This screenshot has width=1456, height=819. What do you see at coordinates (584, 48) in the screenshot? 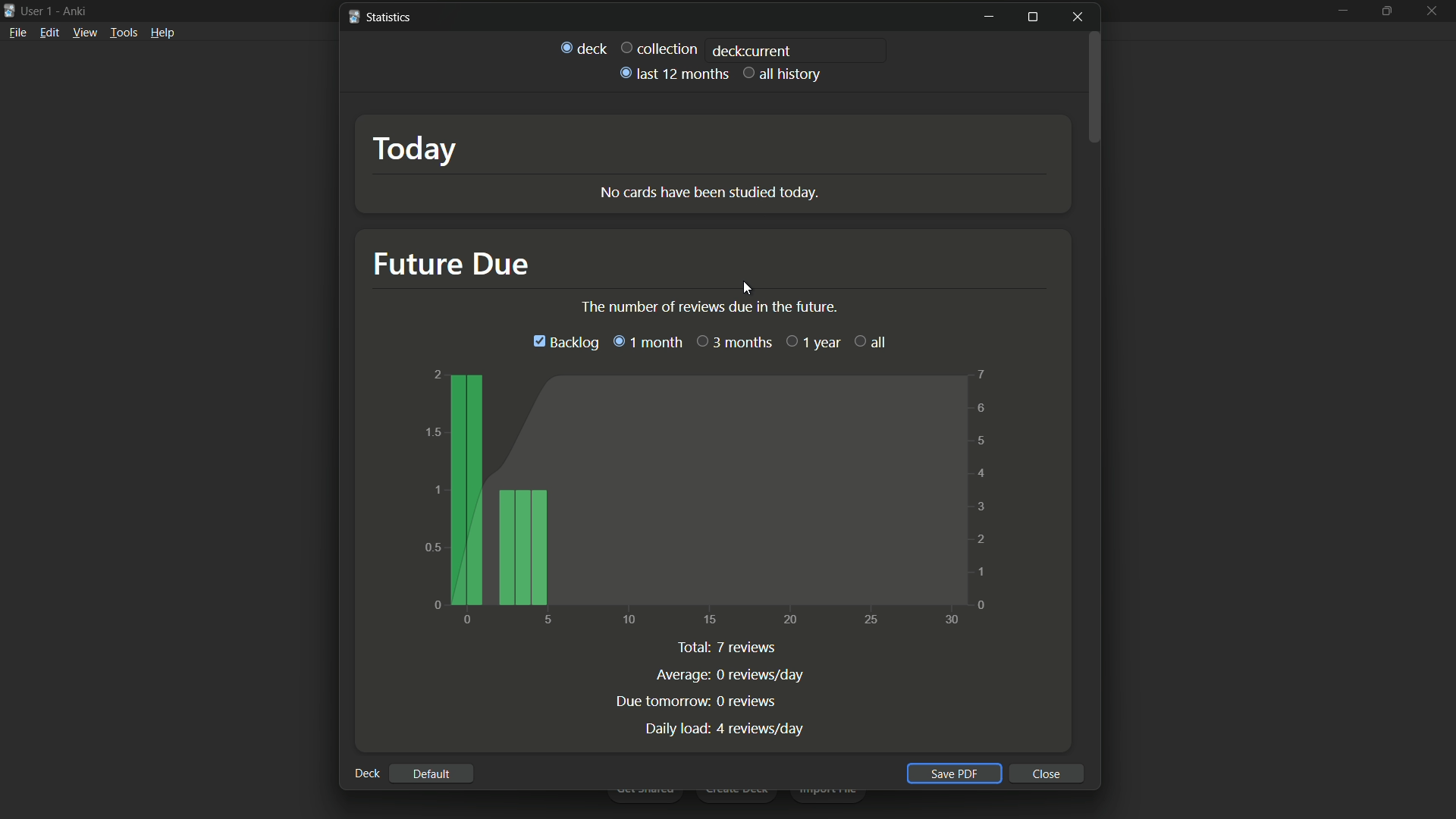
I see `deck` at bounding box center [584, 48].